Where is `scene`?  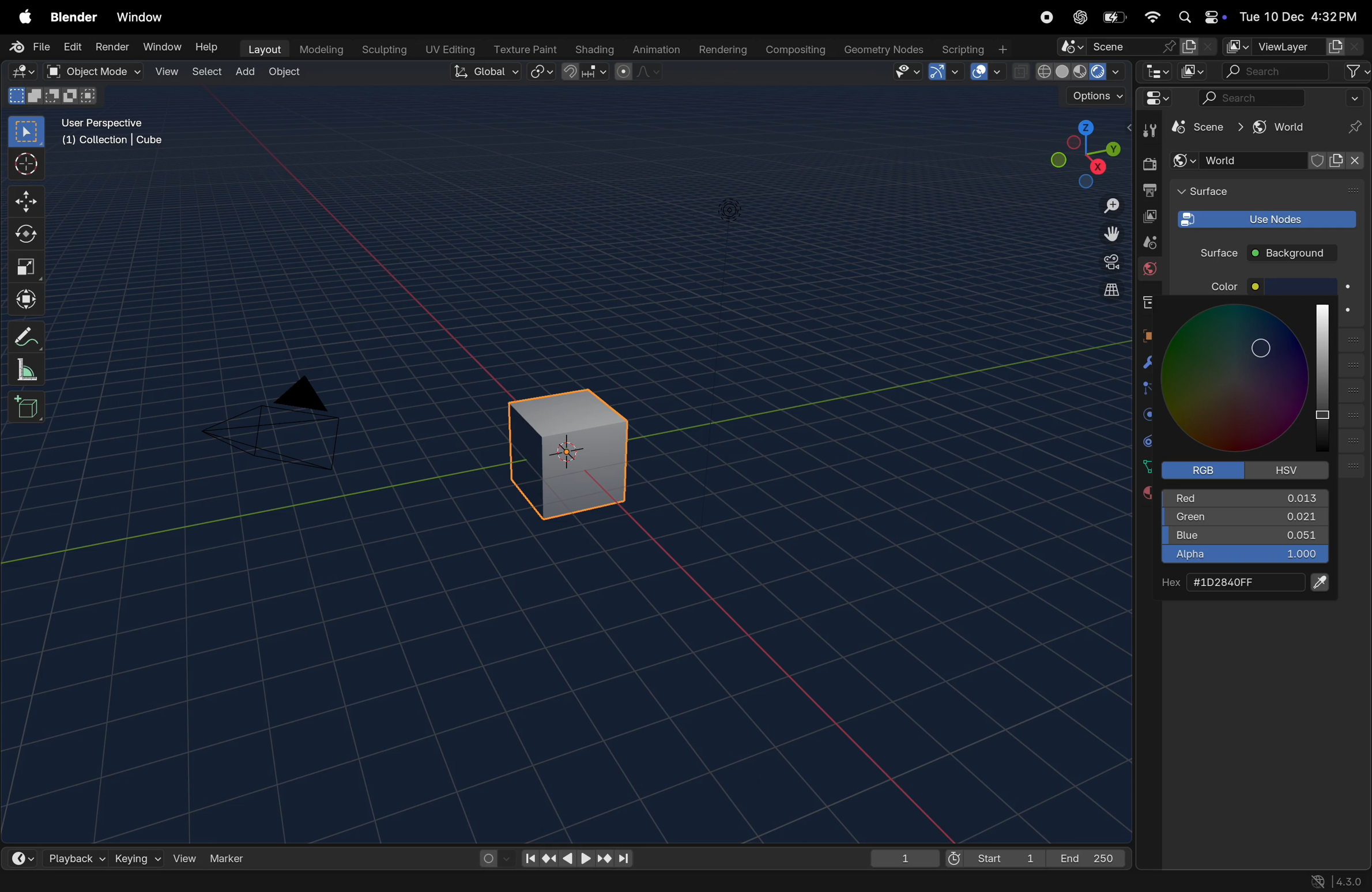 scene is located at coordinates (1145, 242).